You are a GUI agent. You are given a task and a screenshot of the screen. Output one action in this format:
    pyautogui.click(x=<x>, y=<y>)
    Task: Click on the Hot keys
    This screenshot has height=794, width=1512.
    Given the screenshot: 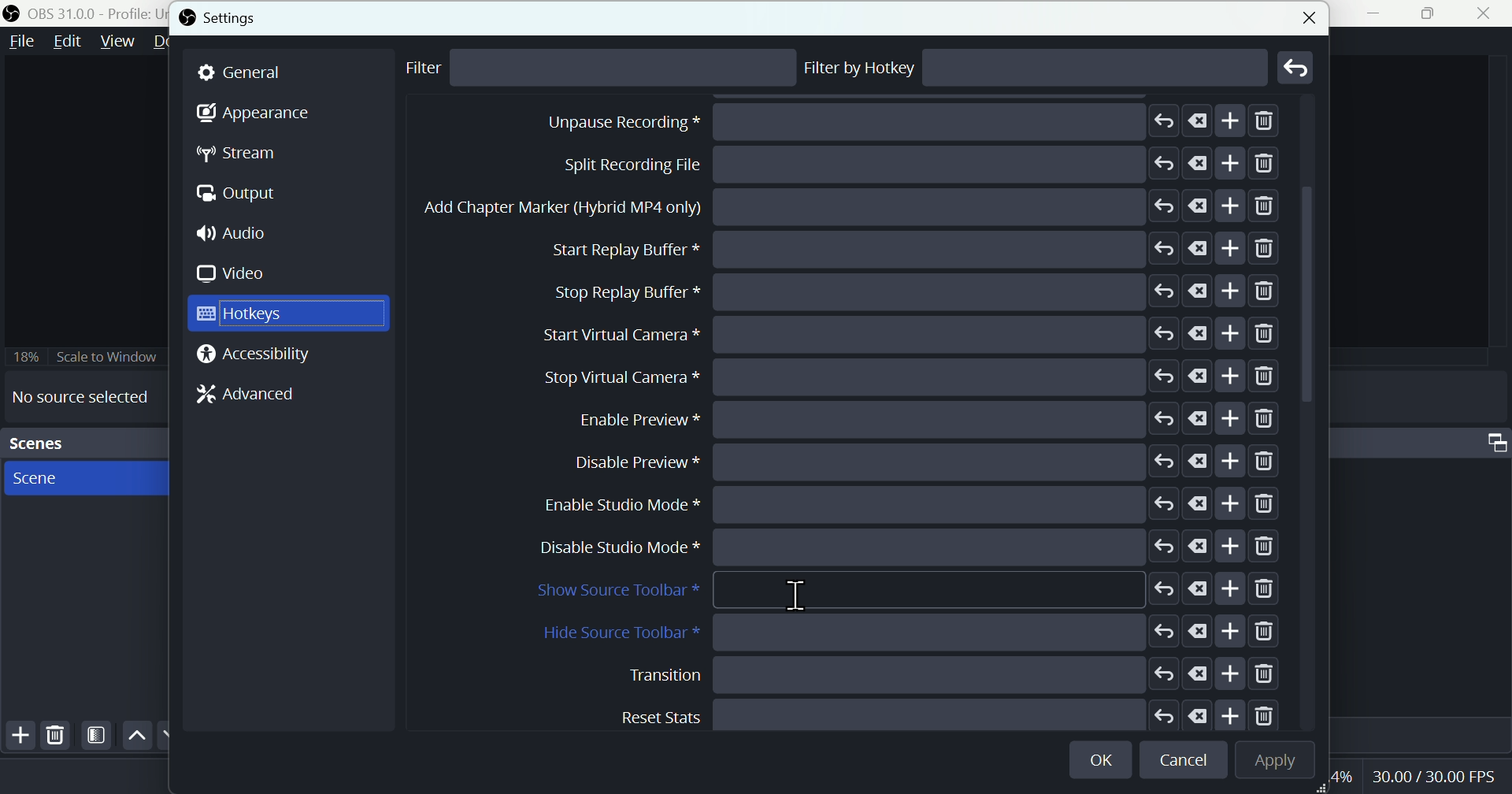 What is the action you would take?
    pyautogui.click(x=288, y=314)
    